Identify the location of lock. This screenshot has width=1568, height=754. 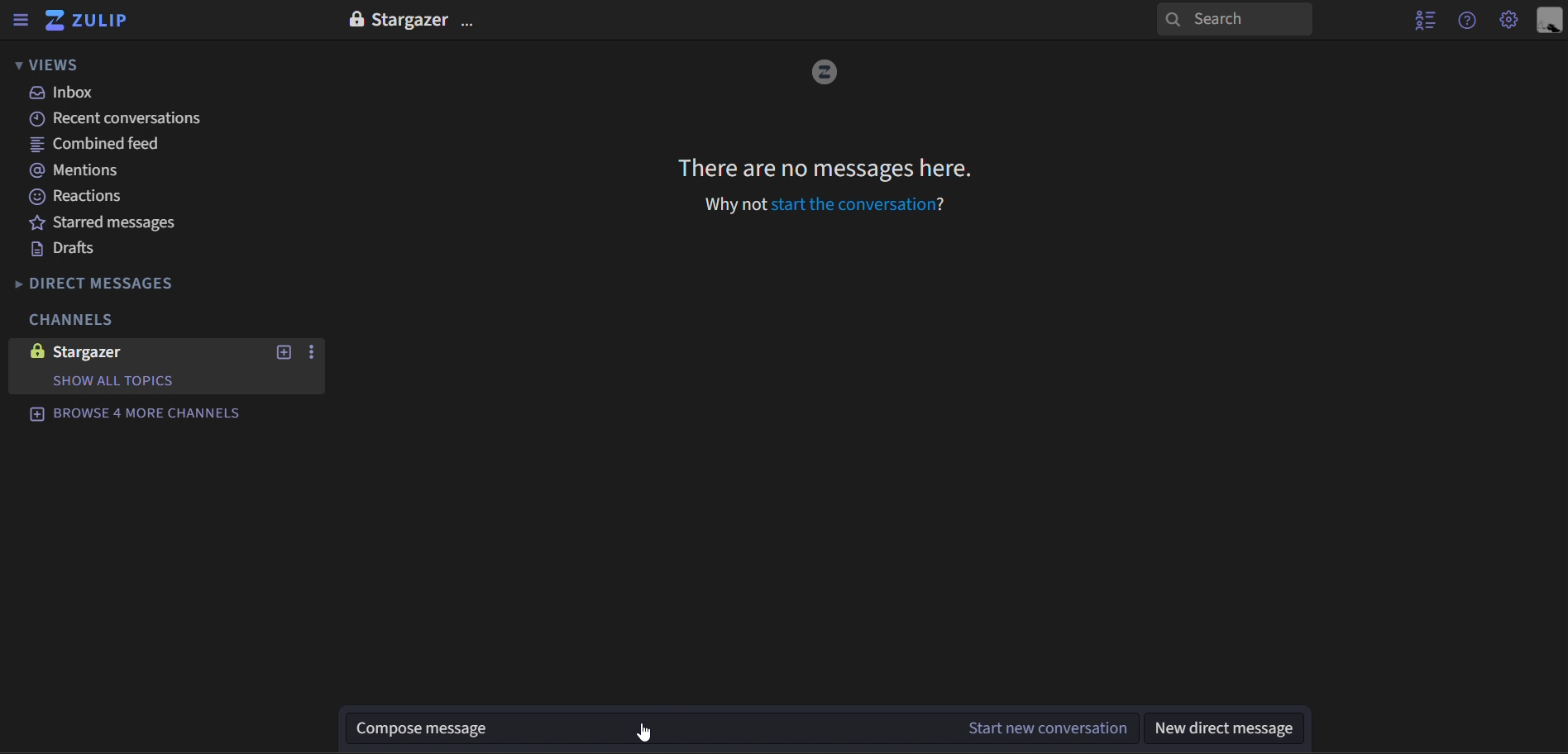
(355, 19).